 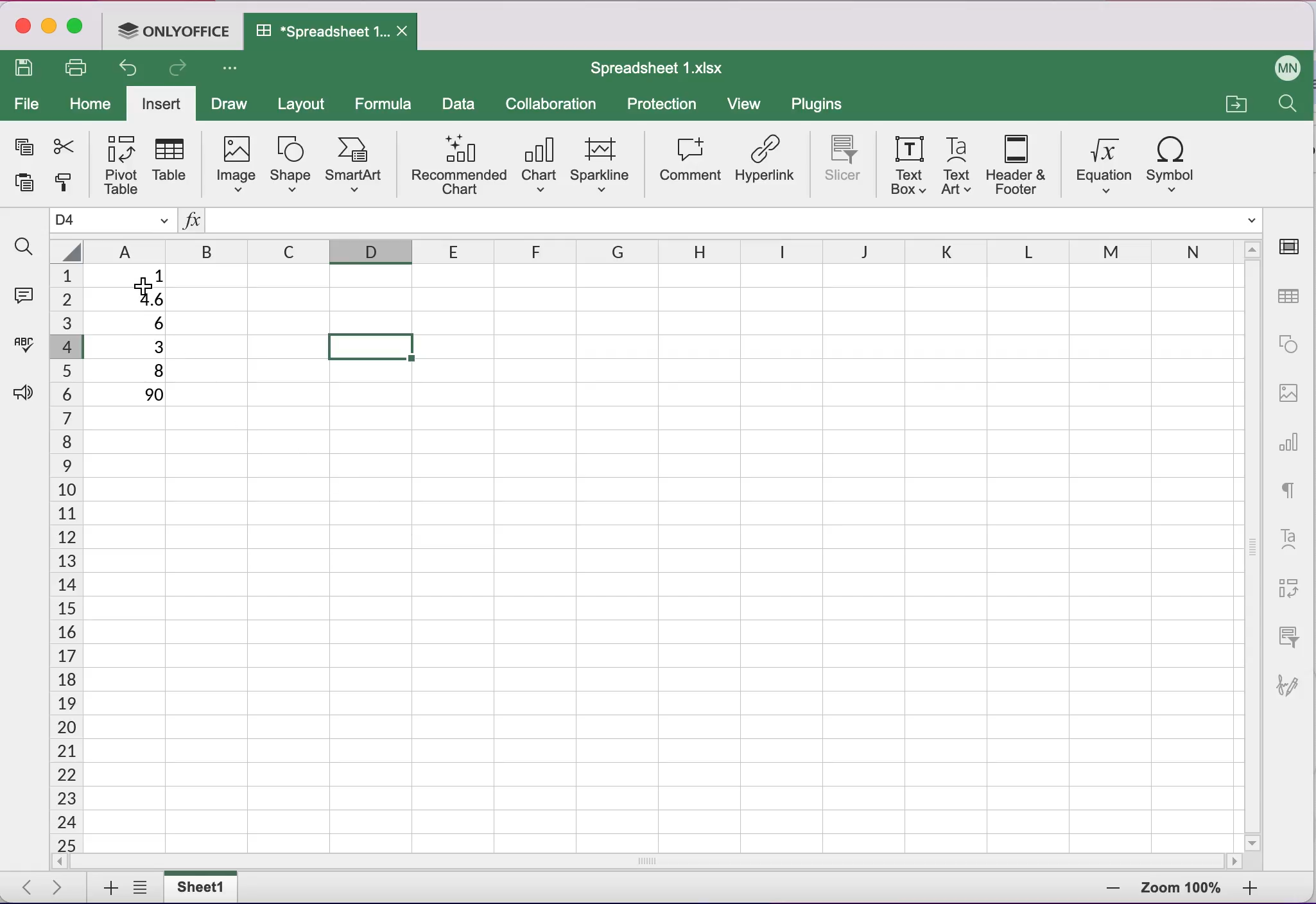 What do you see at coordinates (230, 67) in the screenshot?
I see `Customize access tool bar` at bounding box center [230, 67].